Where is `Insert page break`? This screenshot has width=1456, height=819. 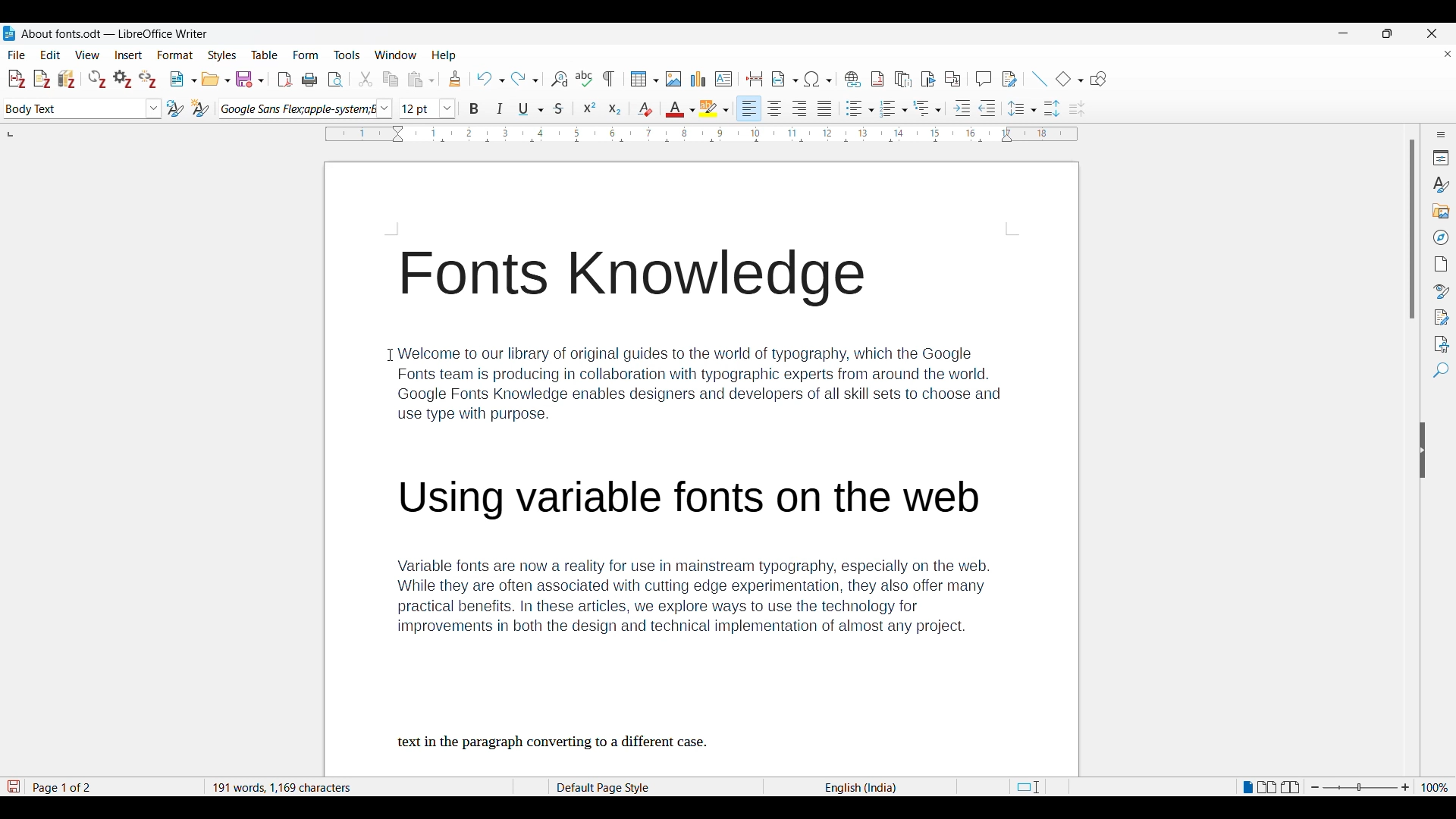 Insert page break is located at coordinates (754, 79).